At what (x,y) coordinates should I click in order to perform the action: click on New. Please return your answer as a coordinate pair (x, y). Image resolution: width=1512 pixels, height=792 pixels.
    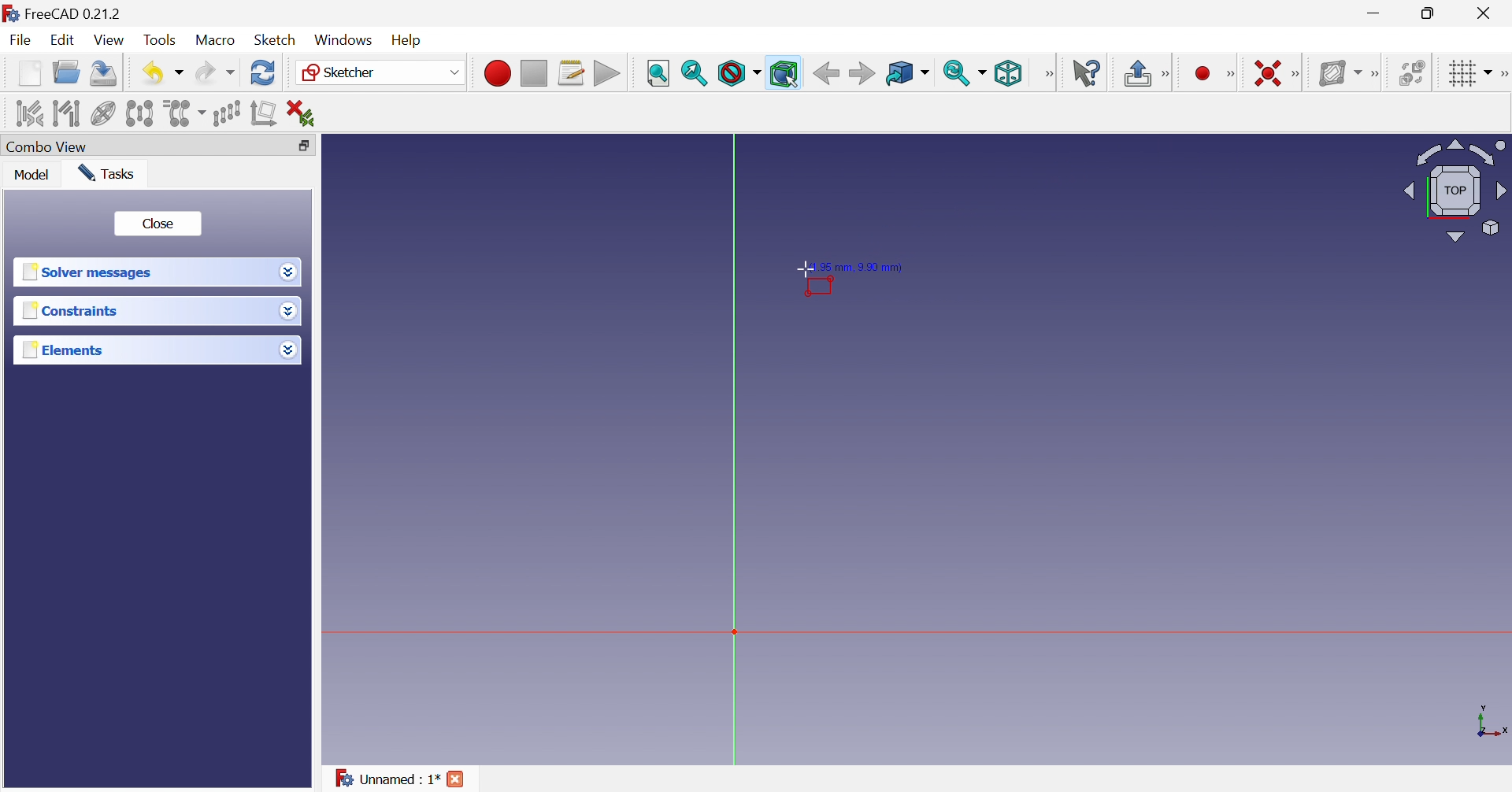
    Looking at the image, I should click on (29, 72).